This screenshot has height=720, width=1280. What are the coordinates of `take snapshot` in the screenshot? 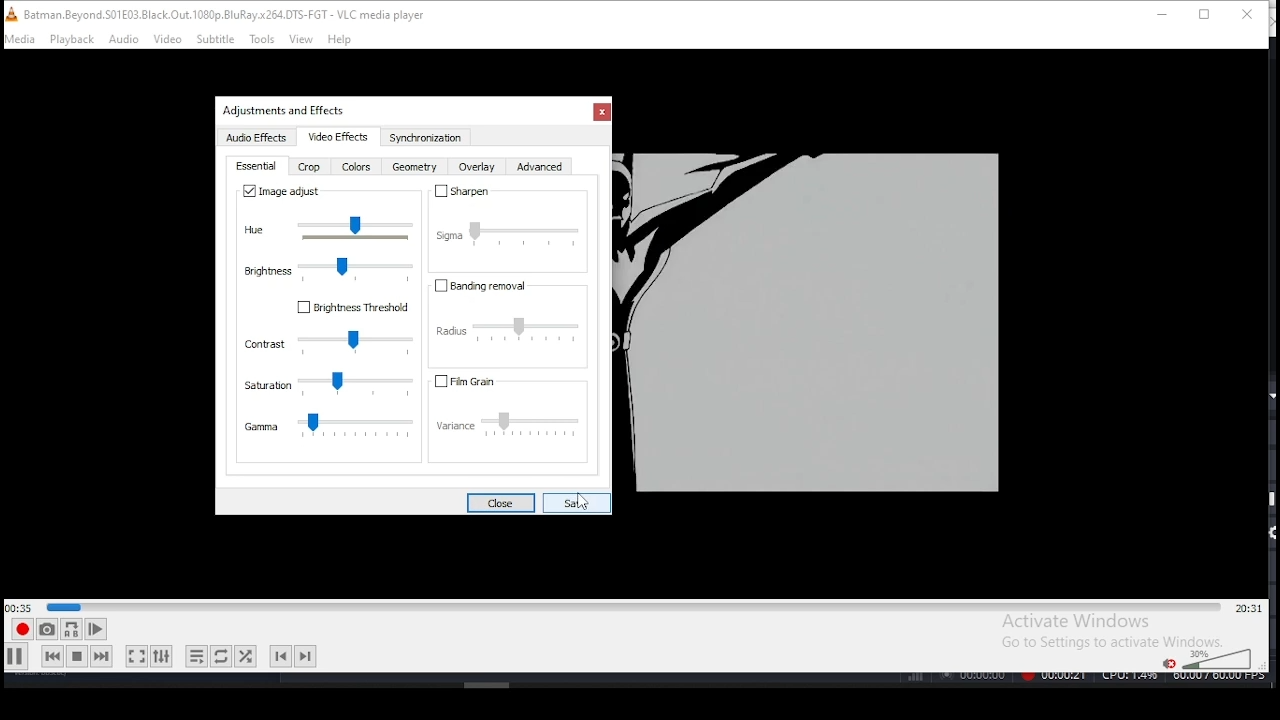 It's located at (44, 632).